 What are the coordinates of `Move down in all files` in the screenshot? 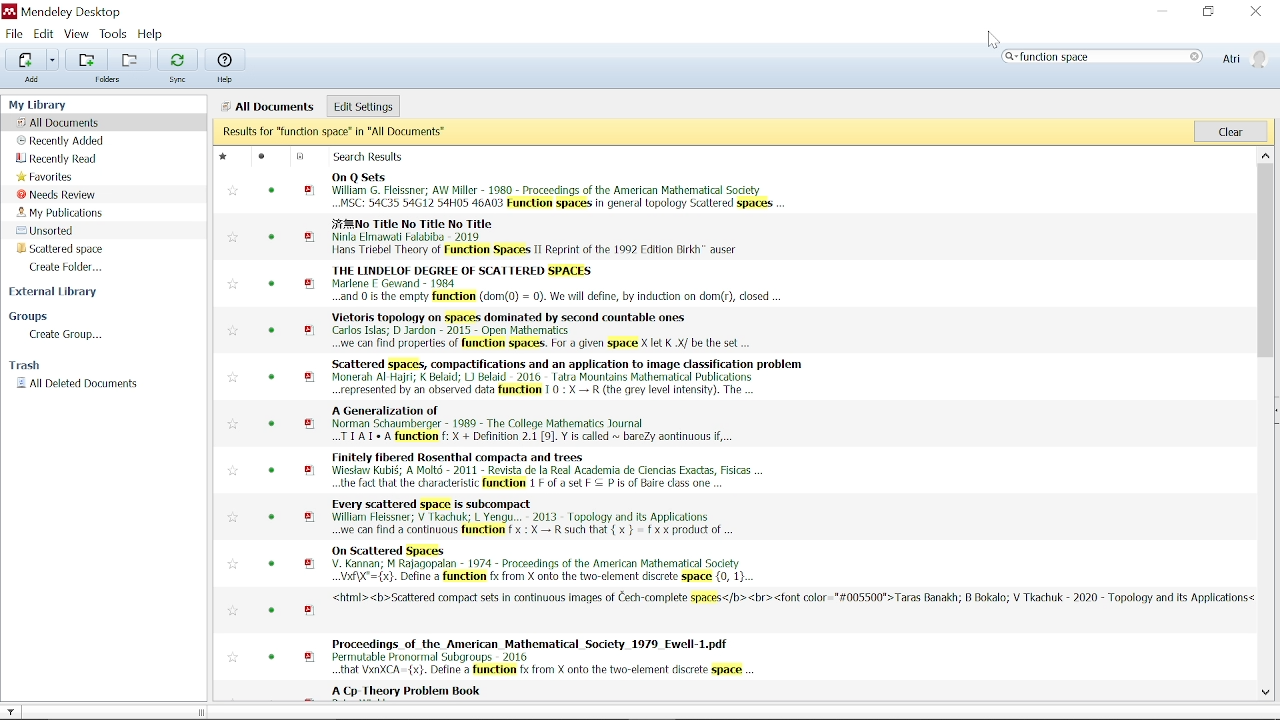 It's located at (1266, 693).